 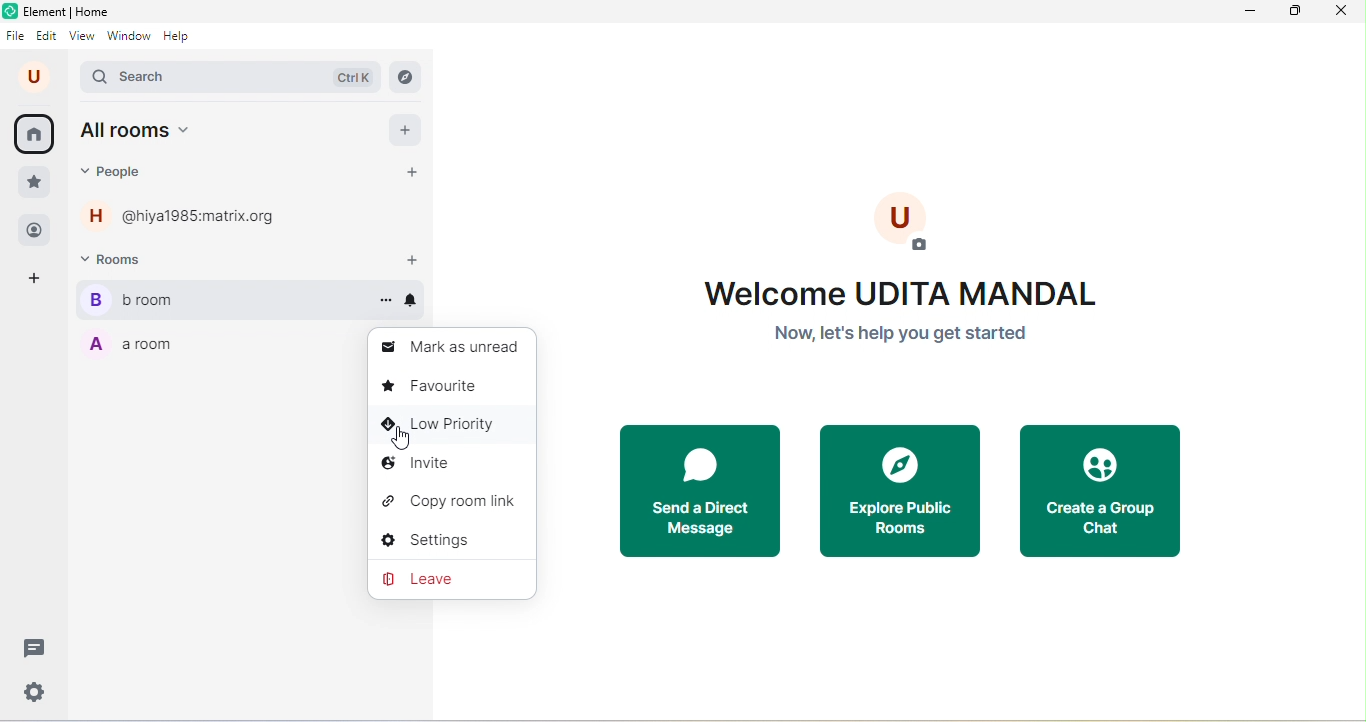 What do you see at coordinates (229, 75) in the screenshot?
I see `search` at bounding box center [229, 75].